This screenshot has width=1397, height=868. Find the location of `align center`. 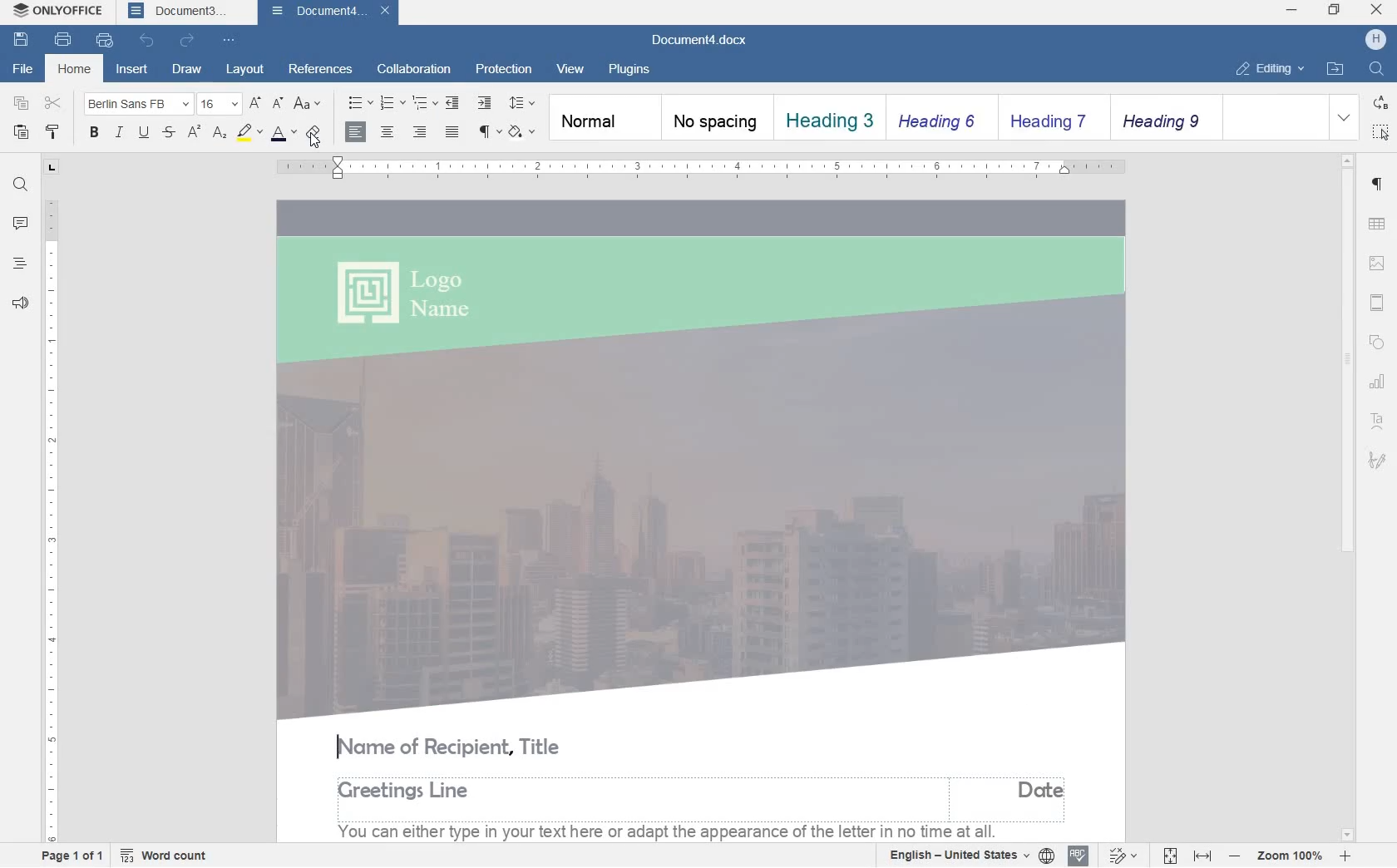

align center is located at coordinates (386, 133).